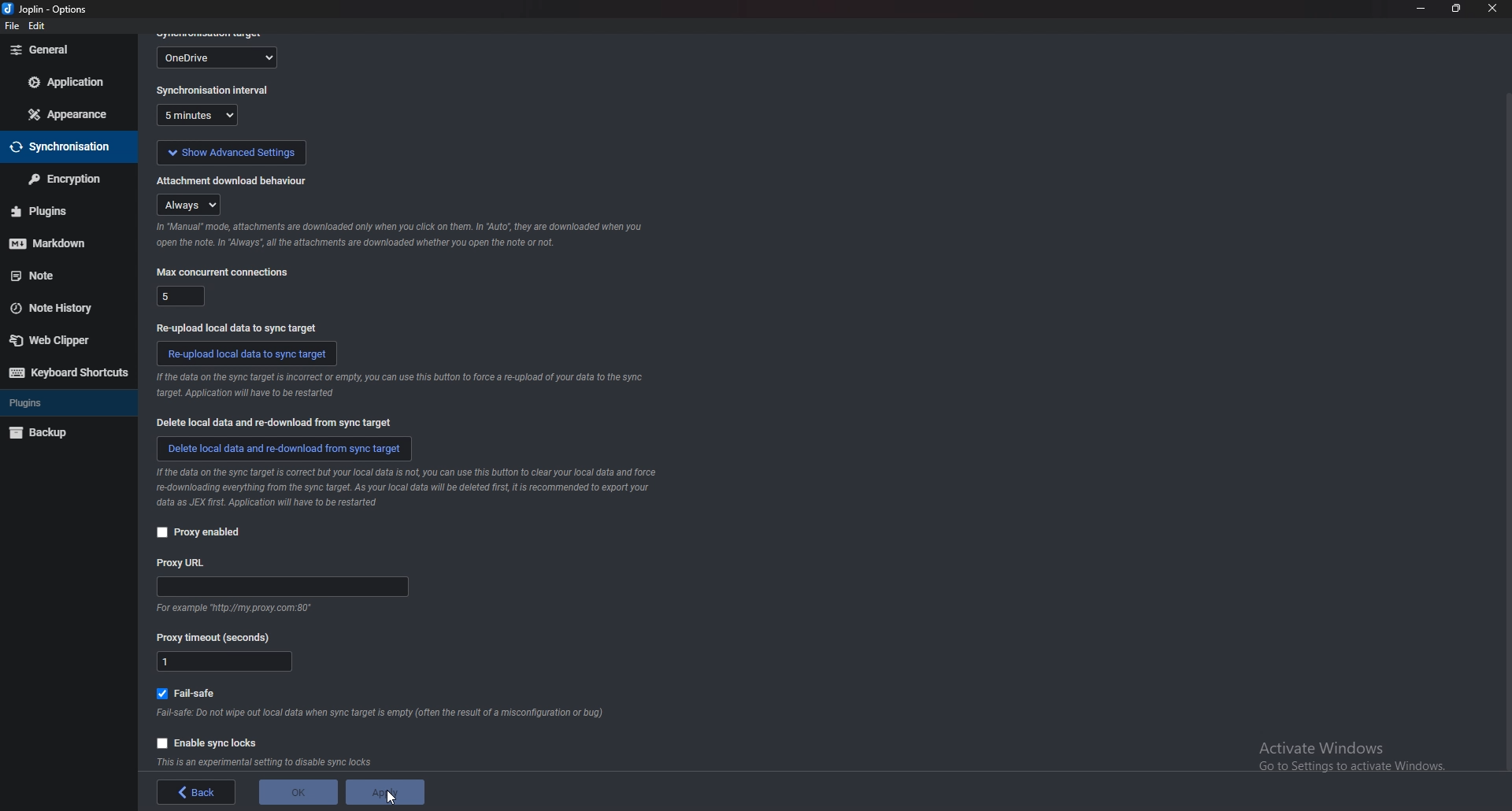  I want to click on resize, so click(1455, 9).